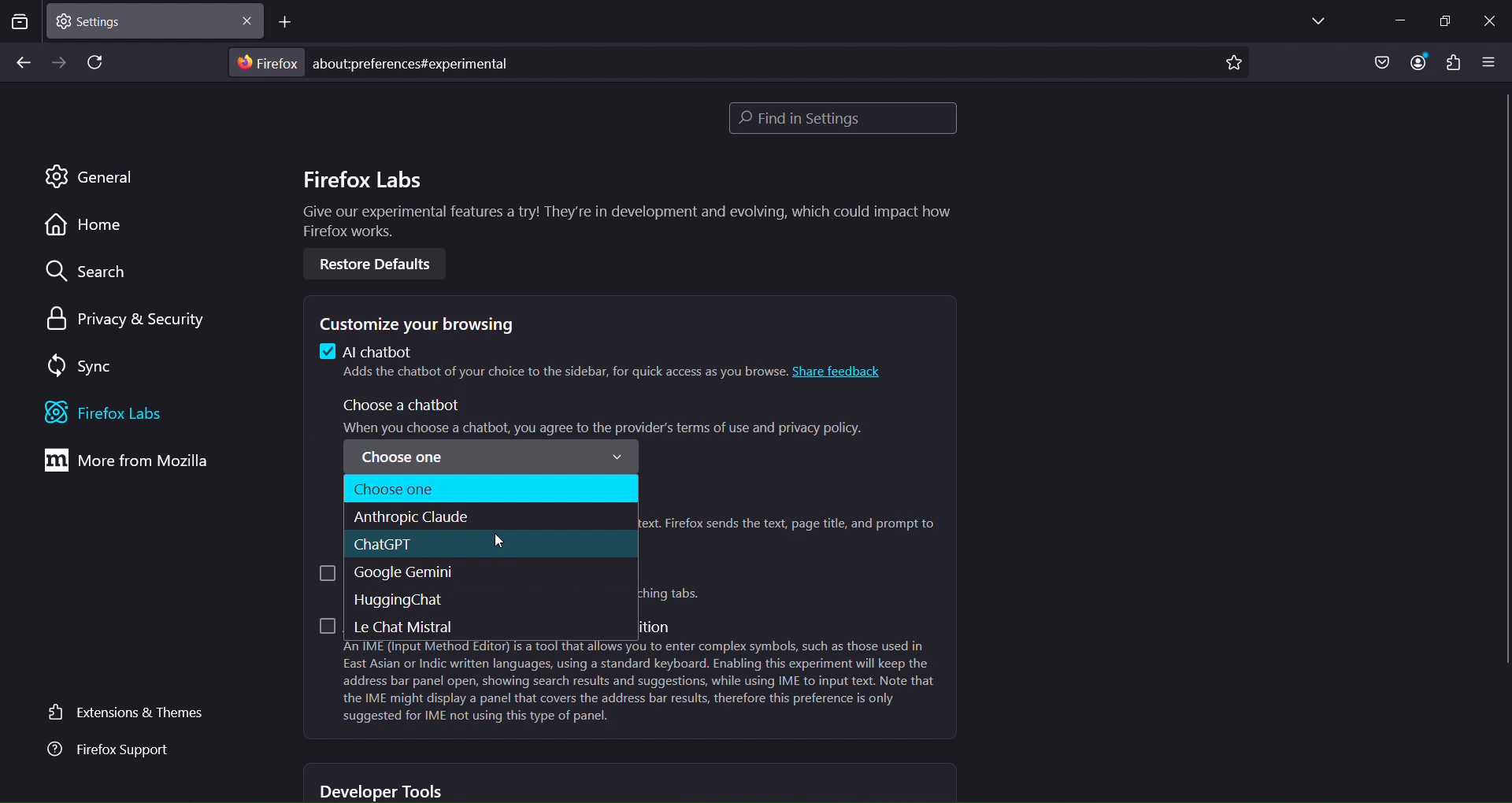 The width and height of the screenshot is (1512, 803). I want to click on bookmark page, so click(1232, 65).